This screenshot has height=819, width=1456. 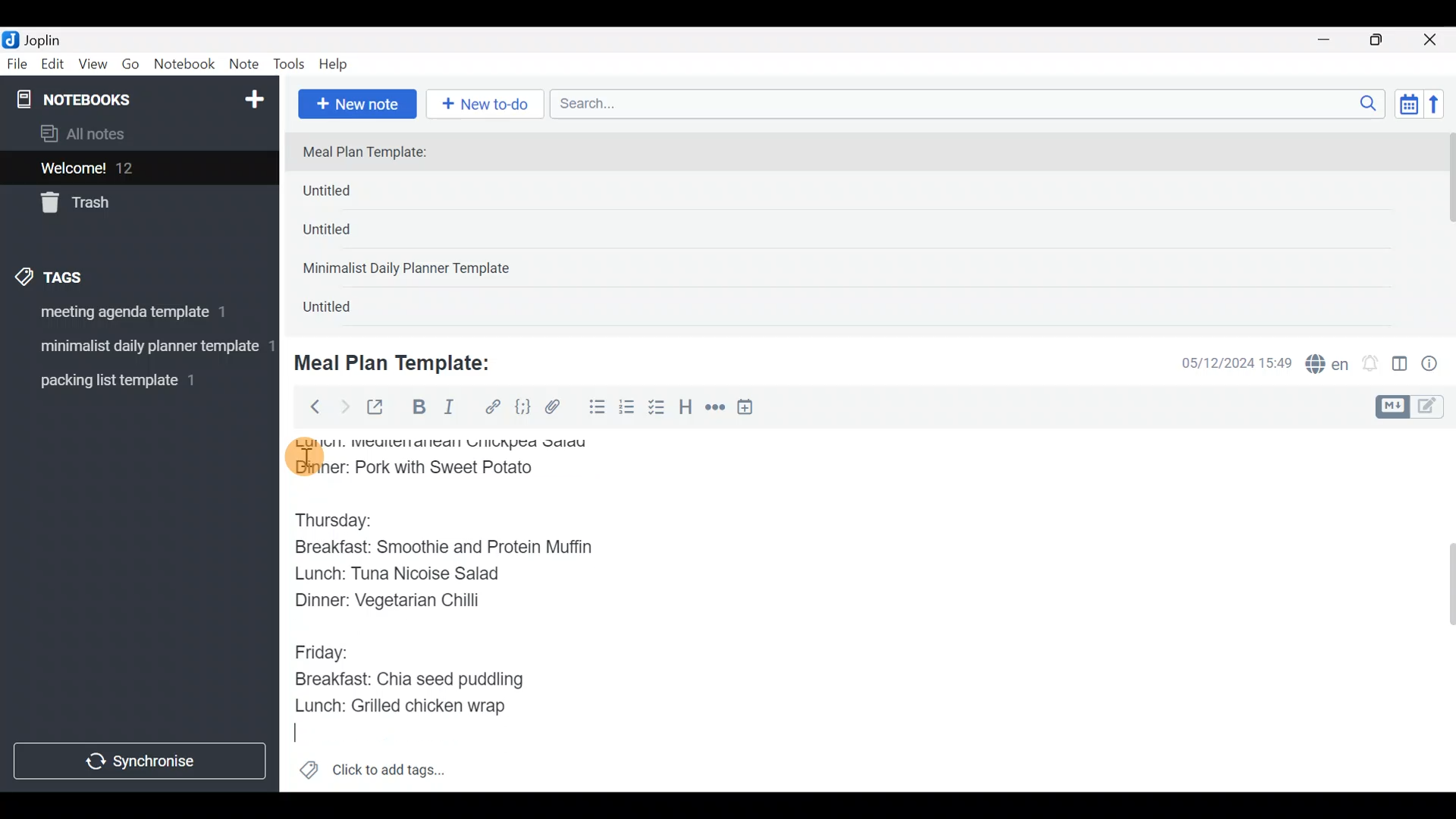 What do you see at coordinates (303, 457) in the screenshot?
I see `cursor` at bounding box center [303, 457].